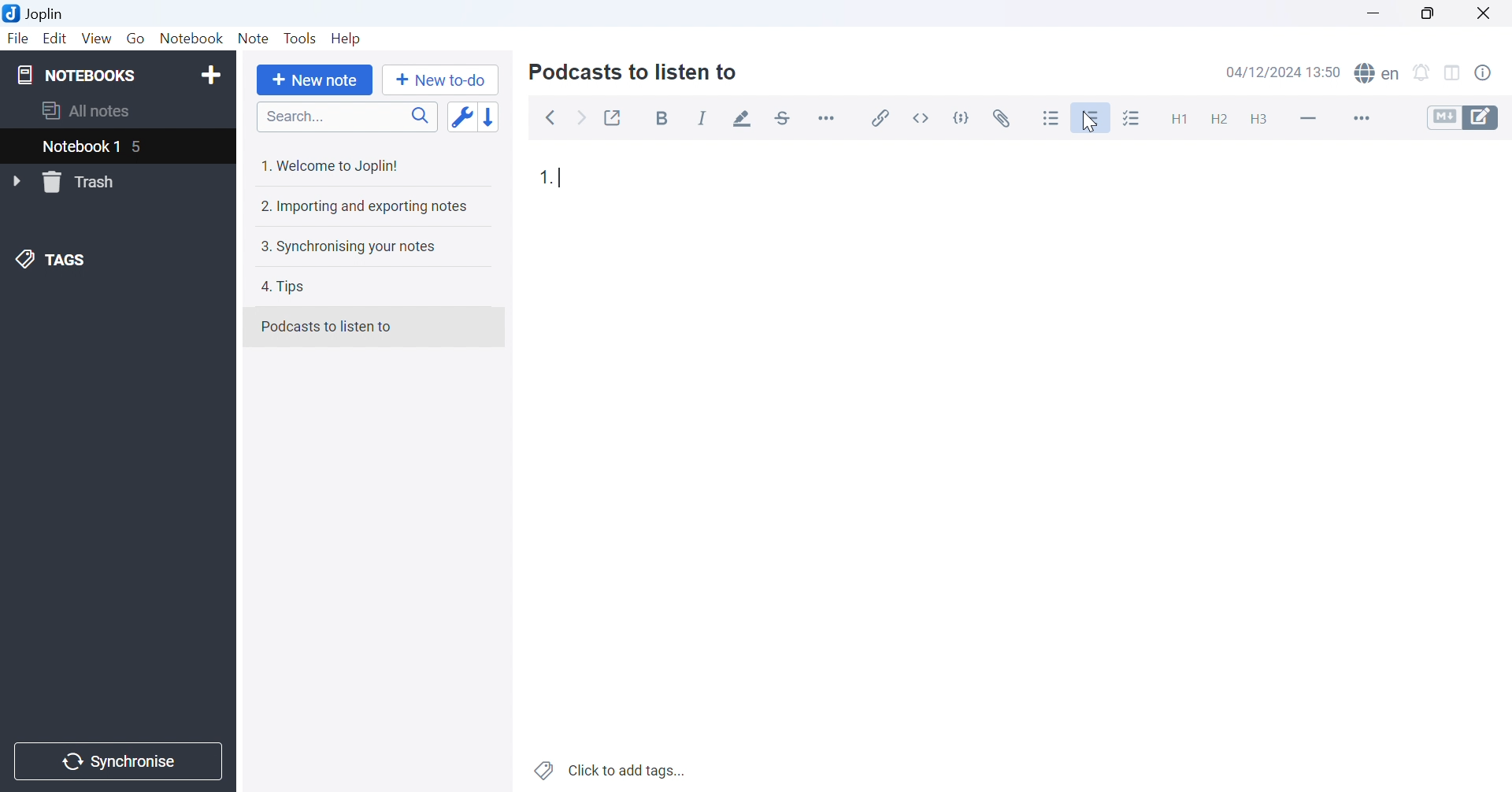  What do you see at coordinates (318, 81) in the screenshot?
I see `New note` at bounding box center [318, 81].